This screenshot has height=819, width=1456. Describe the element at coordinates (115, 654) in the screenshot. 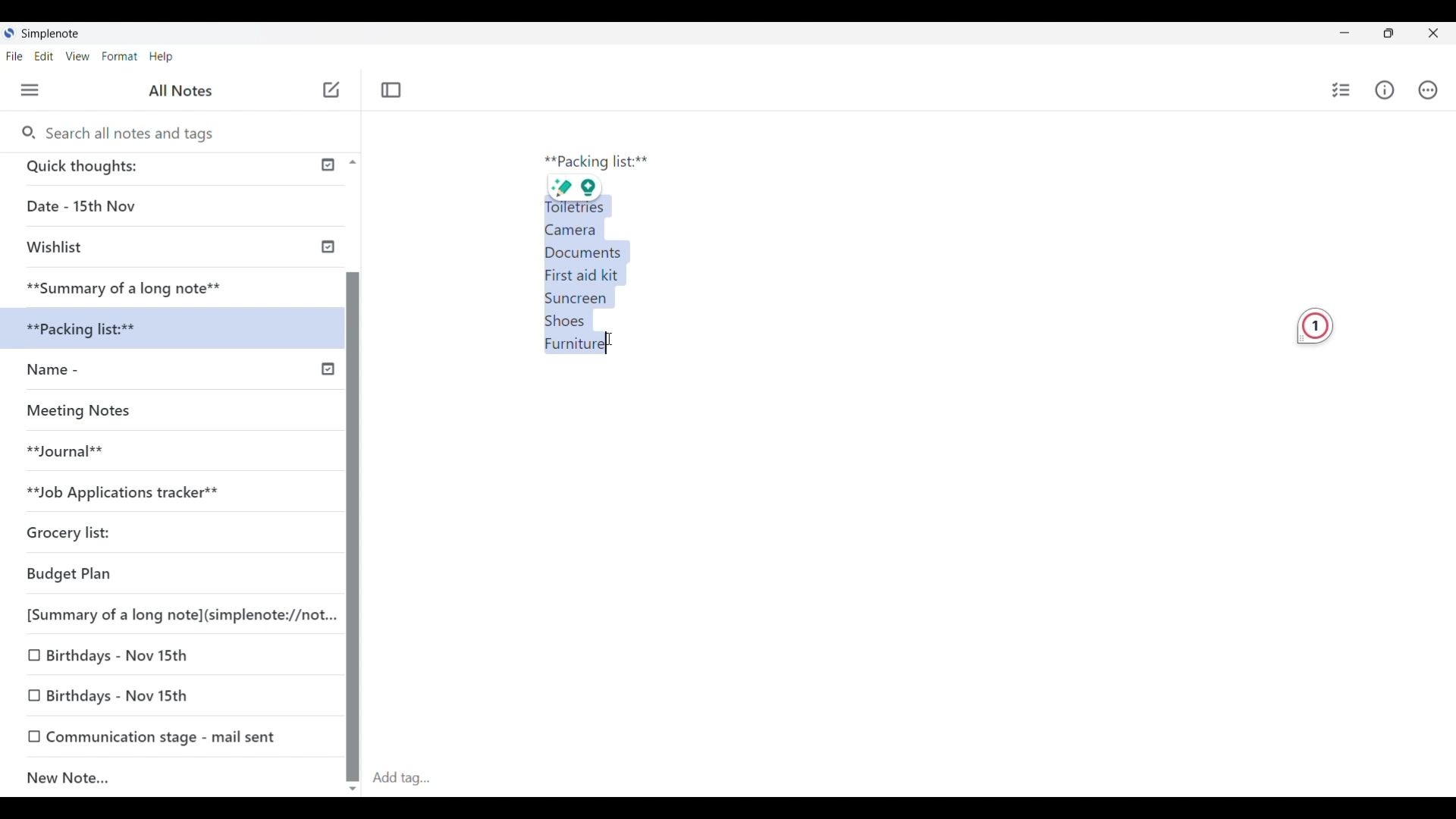

I see `O Birthdays - Nov 15th` at that location.